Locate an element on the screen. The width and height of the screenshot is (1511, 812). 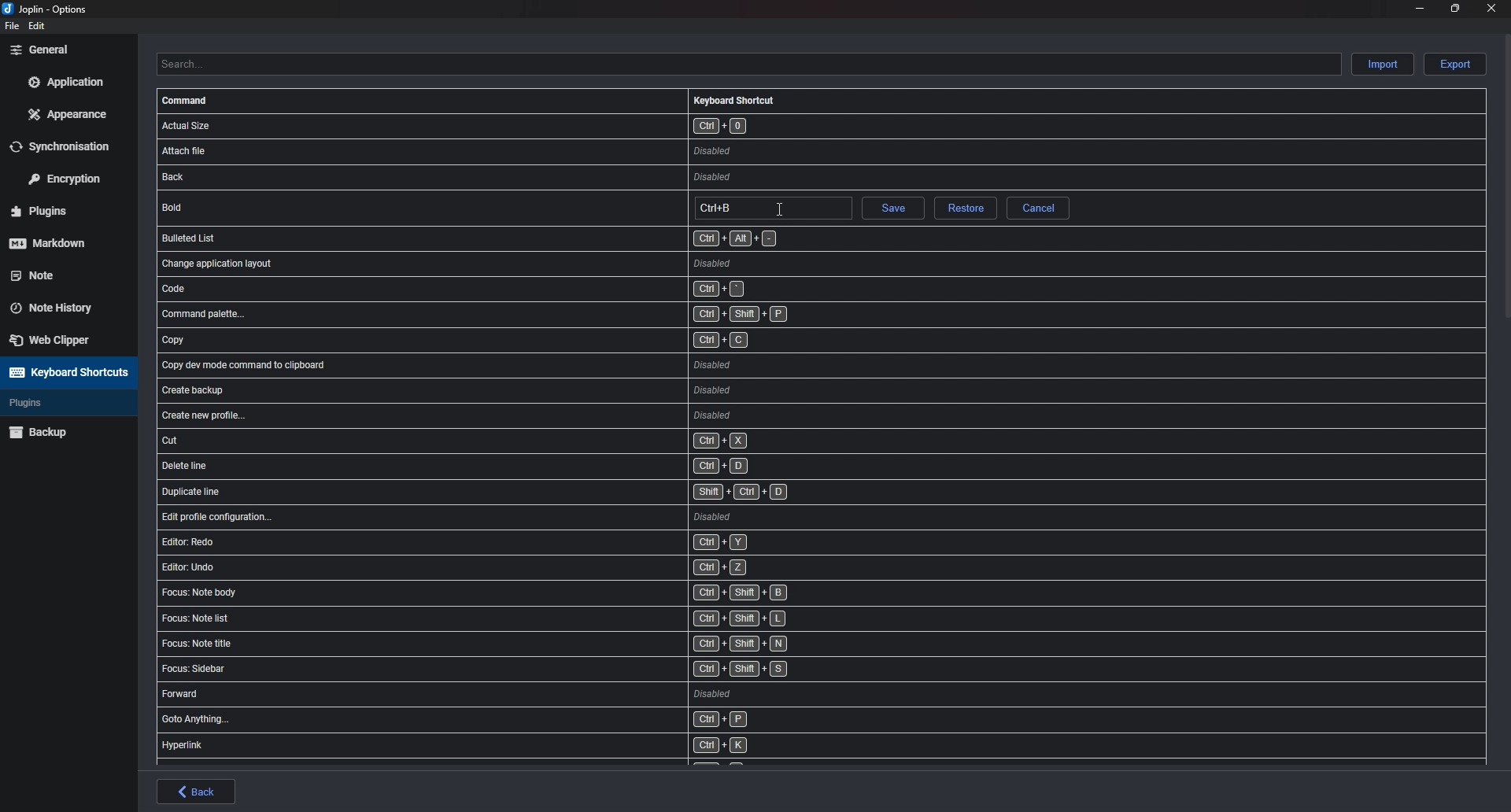
shortcut is located at coordinates (522, 592).